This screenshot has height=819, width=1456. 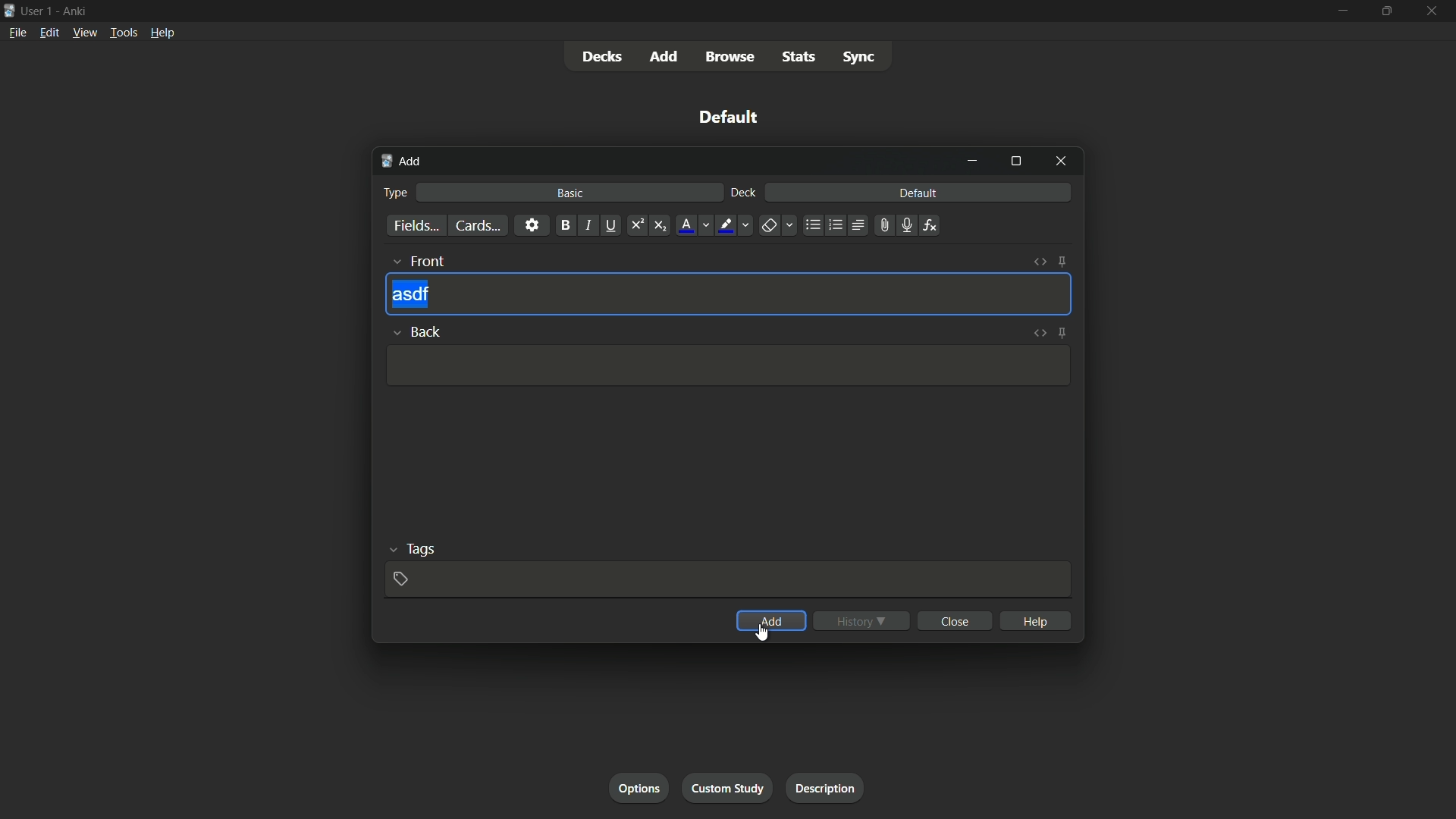 I want to click on options, so click(x=639, y=787).